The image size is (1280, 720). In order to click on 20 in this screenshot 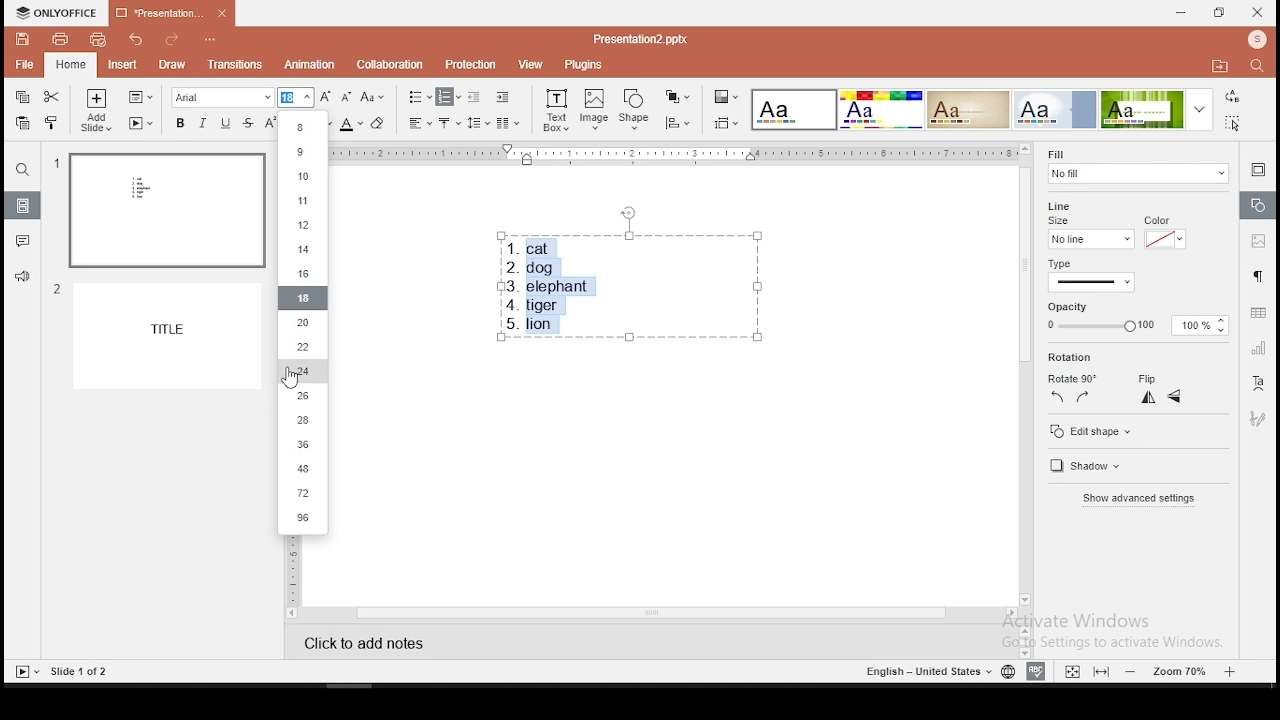, I will do `click(303, 323)`.